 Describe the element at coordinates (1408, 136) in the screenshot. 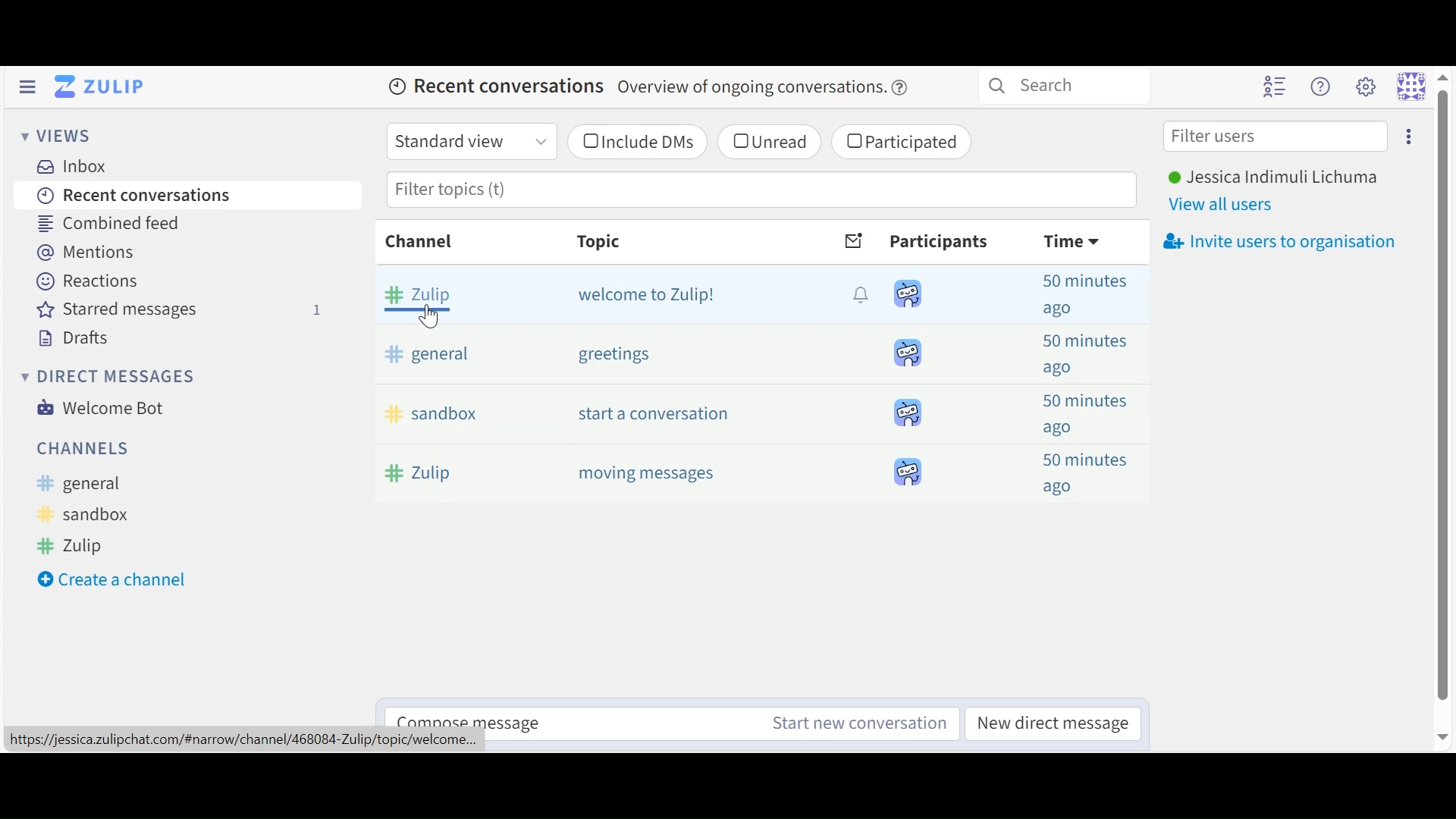

I see `Invite users to conversation` at that location.